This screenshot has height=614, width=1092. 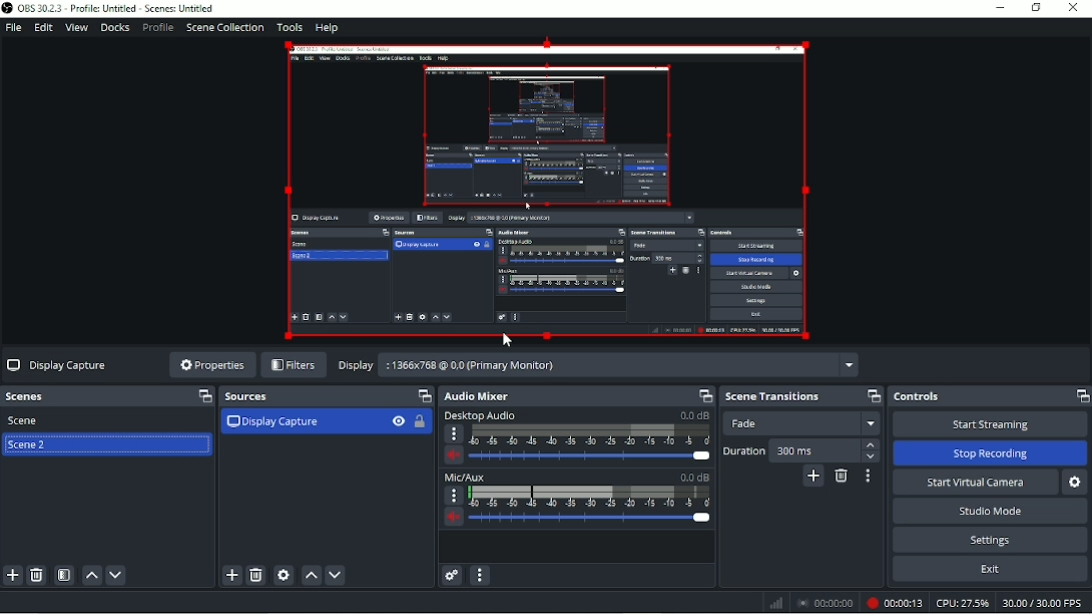 I want to click on 0.0 dB, so click(x=693, y=477).